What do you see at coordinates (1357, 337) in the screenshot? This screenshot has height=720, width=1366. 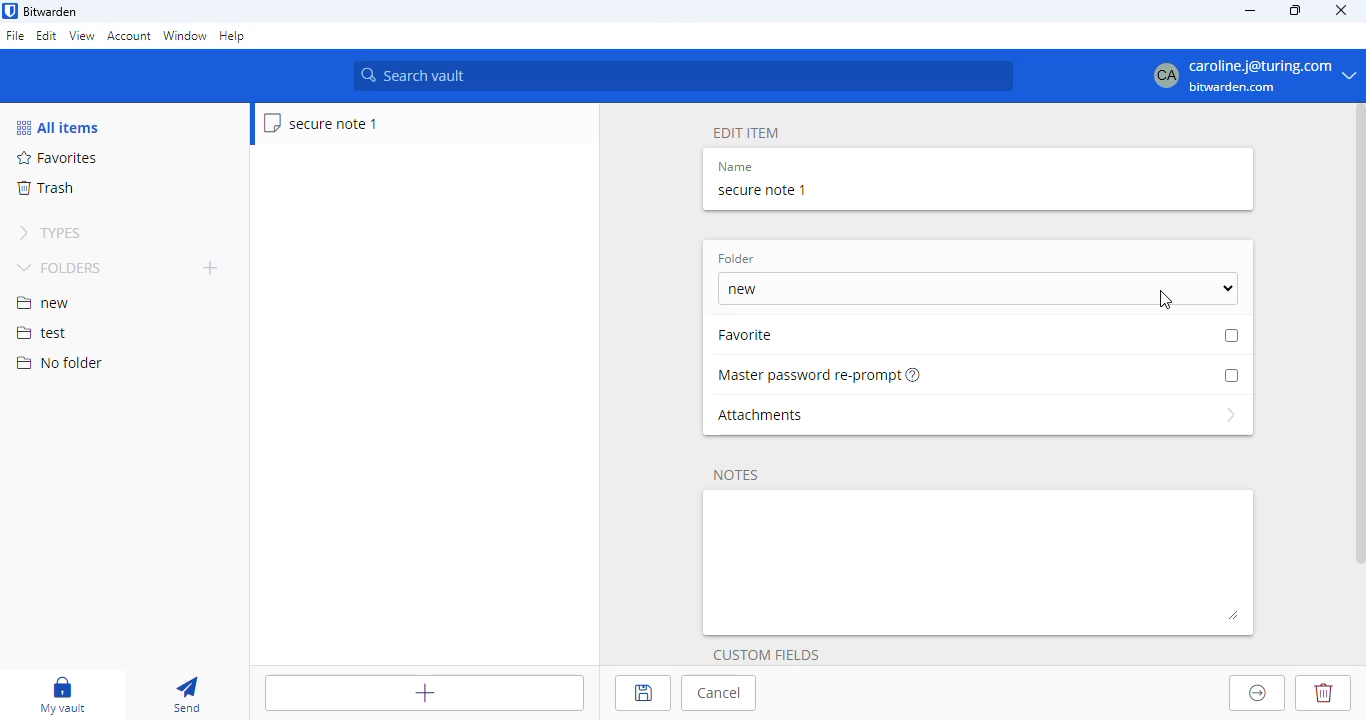 I see `vertical scroll bar` at bounding box center [1357, 337].